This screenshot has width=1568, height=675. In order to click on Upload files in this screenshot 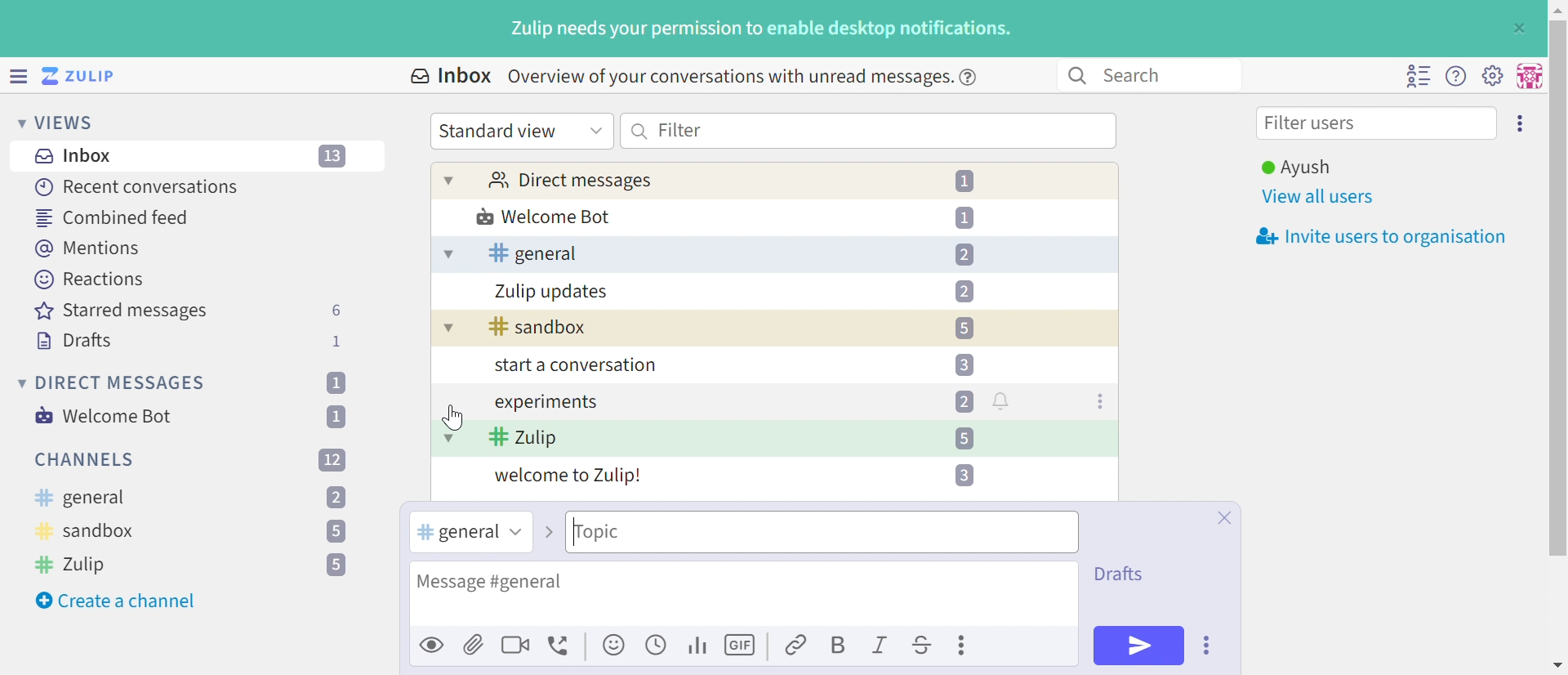, I will do `click(474, 644)`.